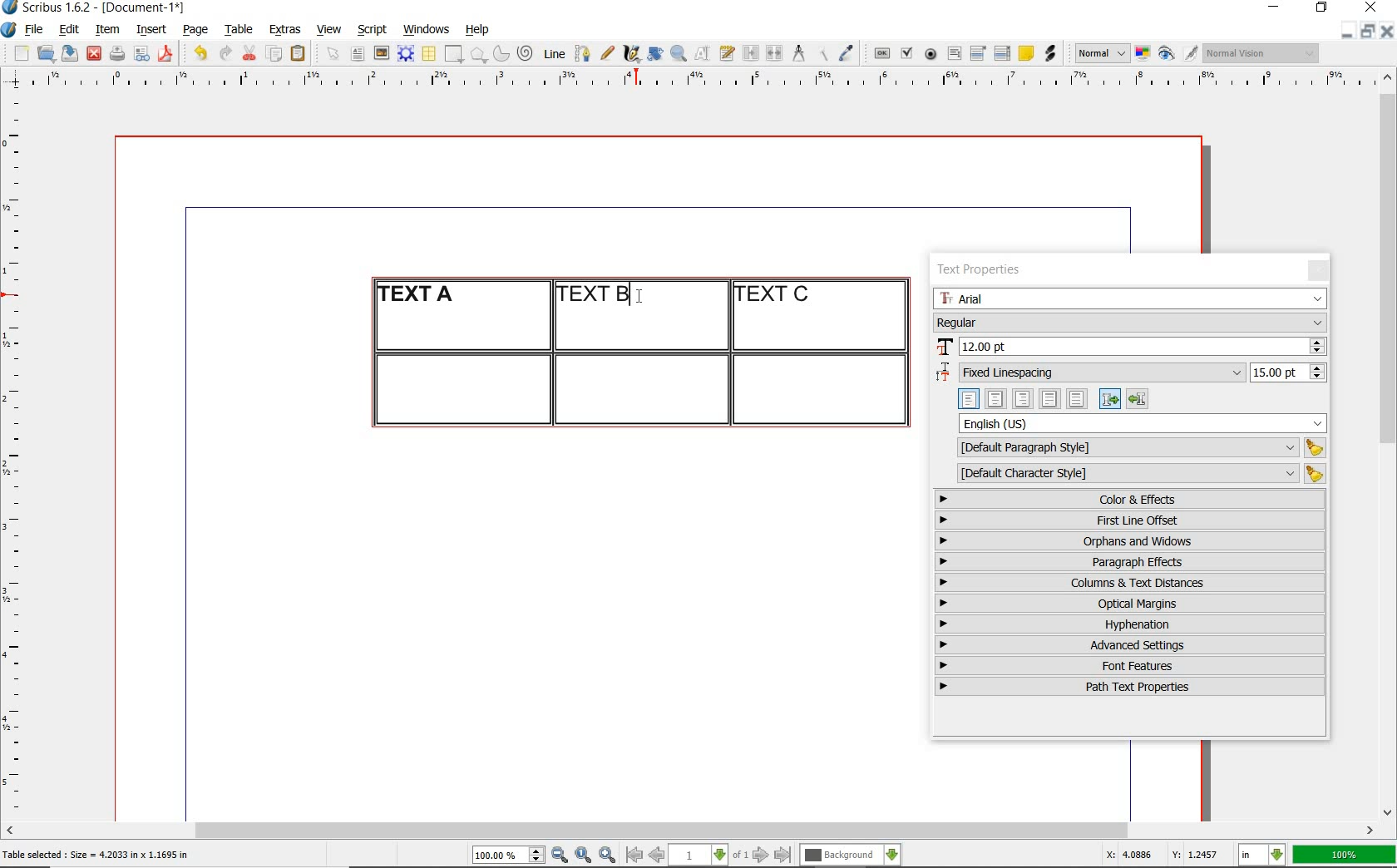  Describe the element at coordinates (94, 54) in the screenshot. I see `close` at that location.